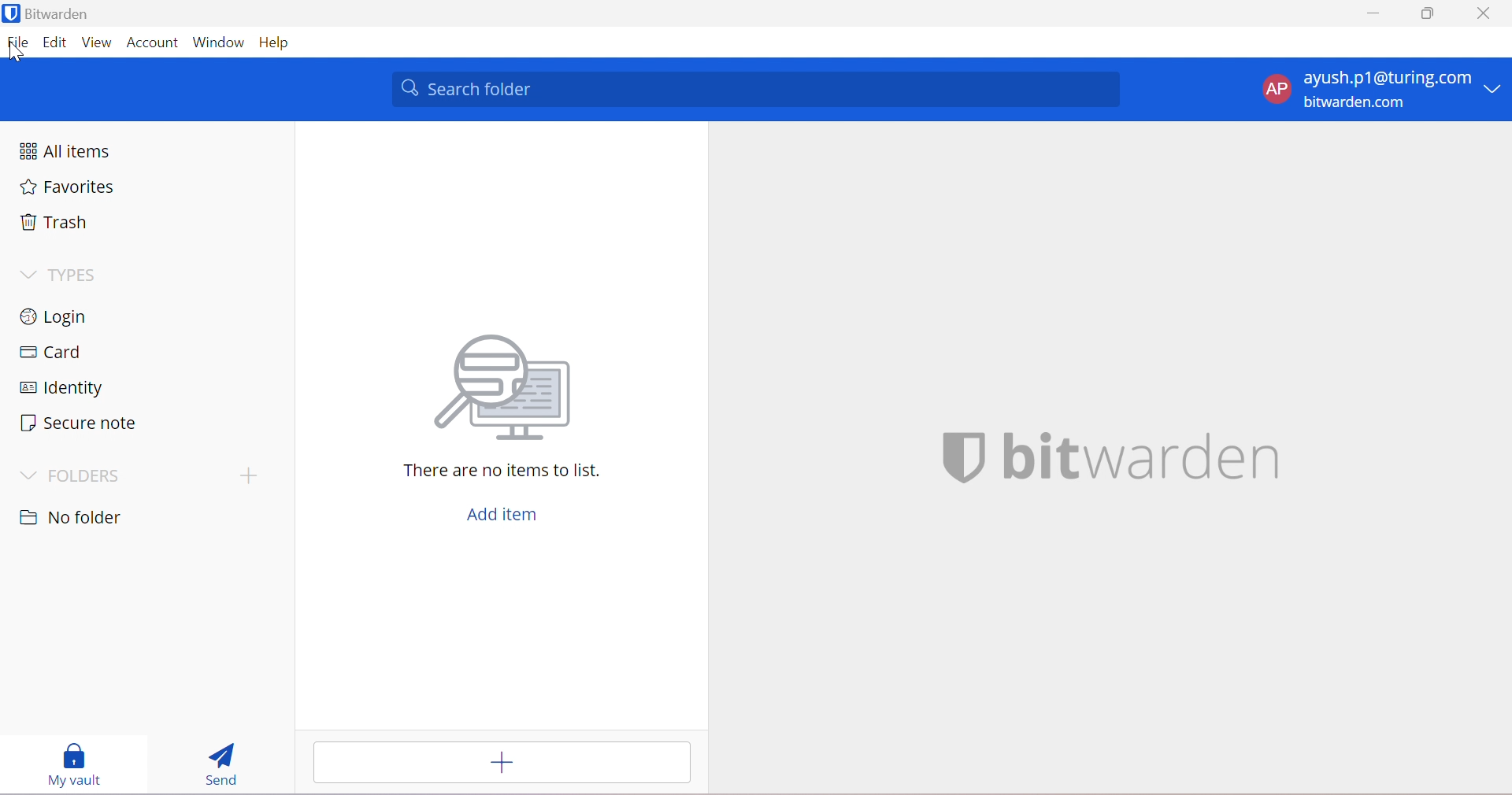  What do you see at coordinates (1483, 13) in the screenshot?
I see `Close` at bounding box center [1483, 13].